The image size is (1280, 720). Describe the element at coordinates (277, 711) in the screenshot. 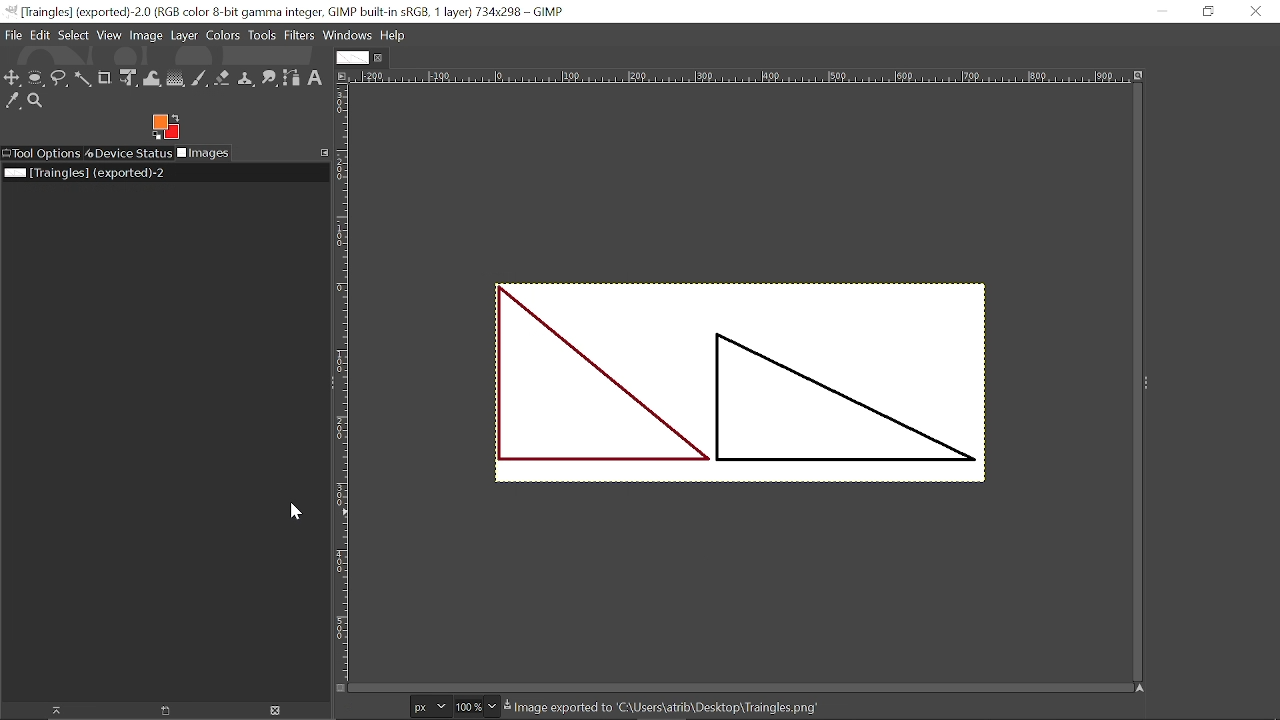

I see `Delete this image` at that location.